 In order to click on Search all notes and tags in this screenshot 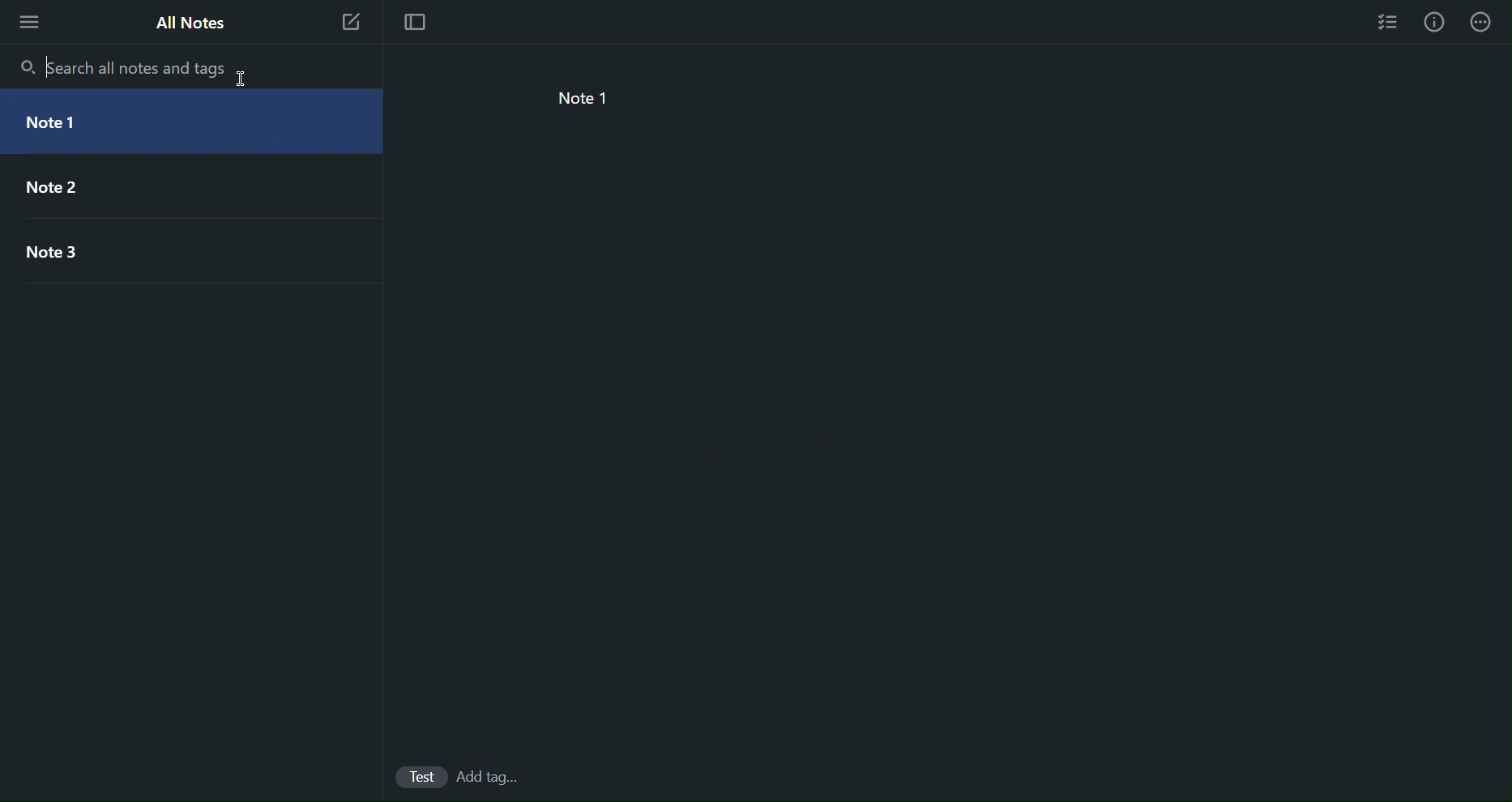, I will do `click(143, 68)`.